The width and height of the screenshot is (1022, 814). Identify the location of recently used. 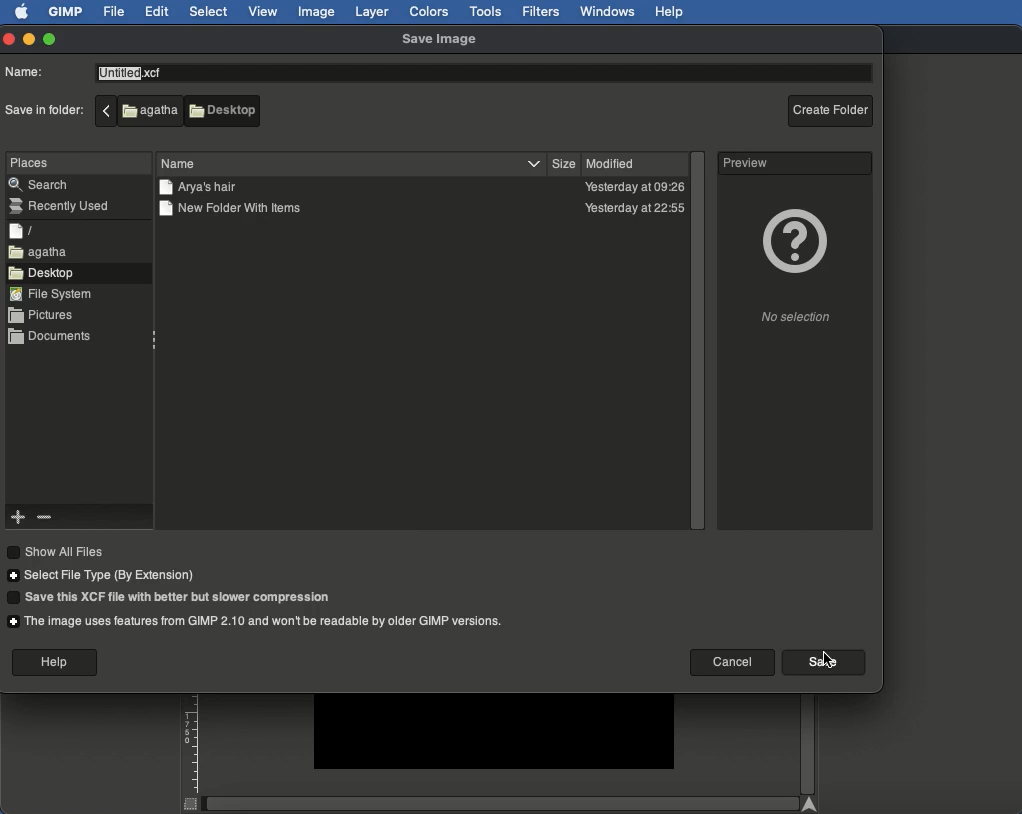
(65, 204).